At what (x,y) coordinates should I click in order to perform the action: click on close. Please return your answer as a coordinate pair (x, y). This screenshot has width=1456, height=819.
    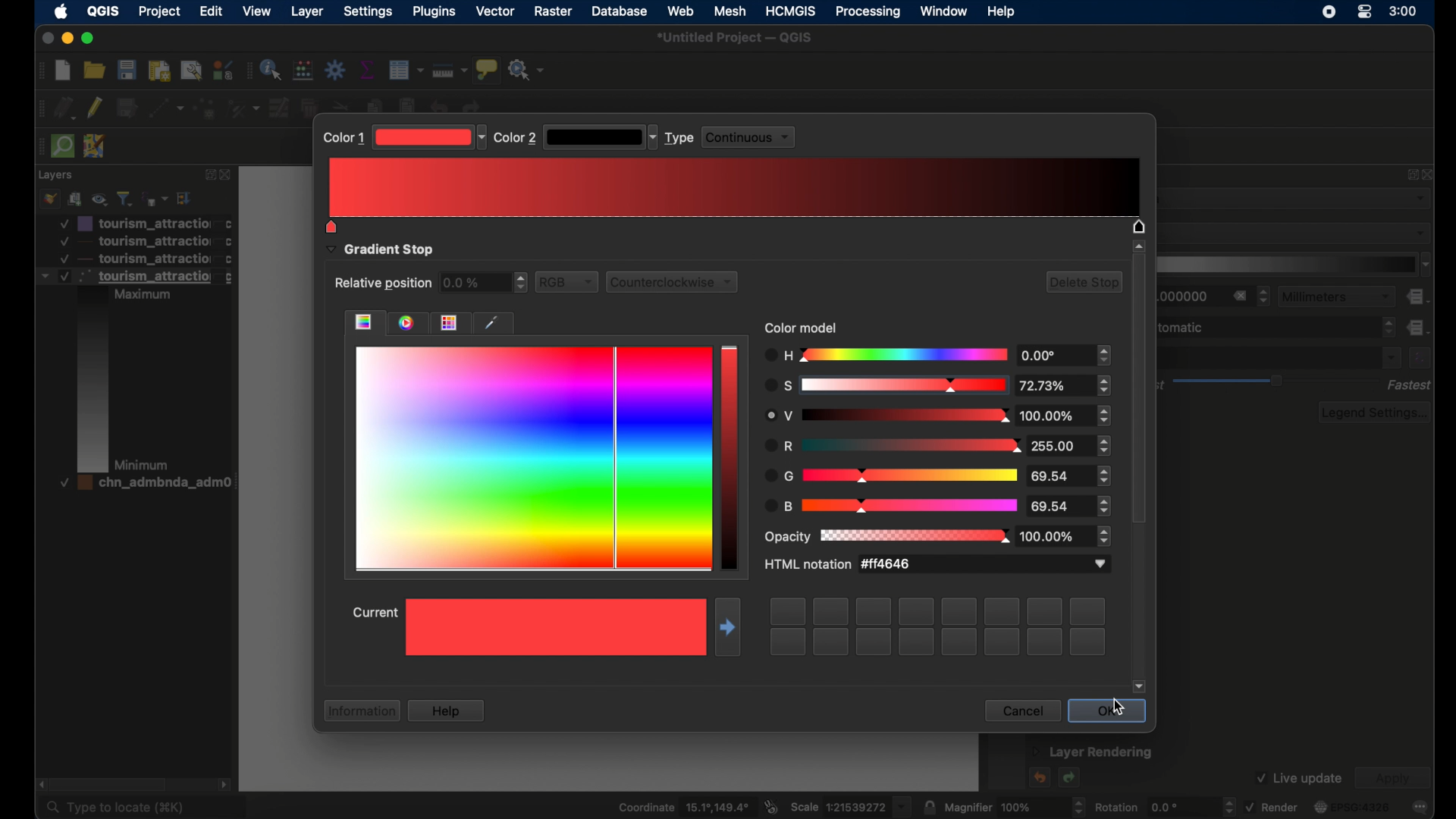
    Looking at the image, I should click on (47, 39).